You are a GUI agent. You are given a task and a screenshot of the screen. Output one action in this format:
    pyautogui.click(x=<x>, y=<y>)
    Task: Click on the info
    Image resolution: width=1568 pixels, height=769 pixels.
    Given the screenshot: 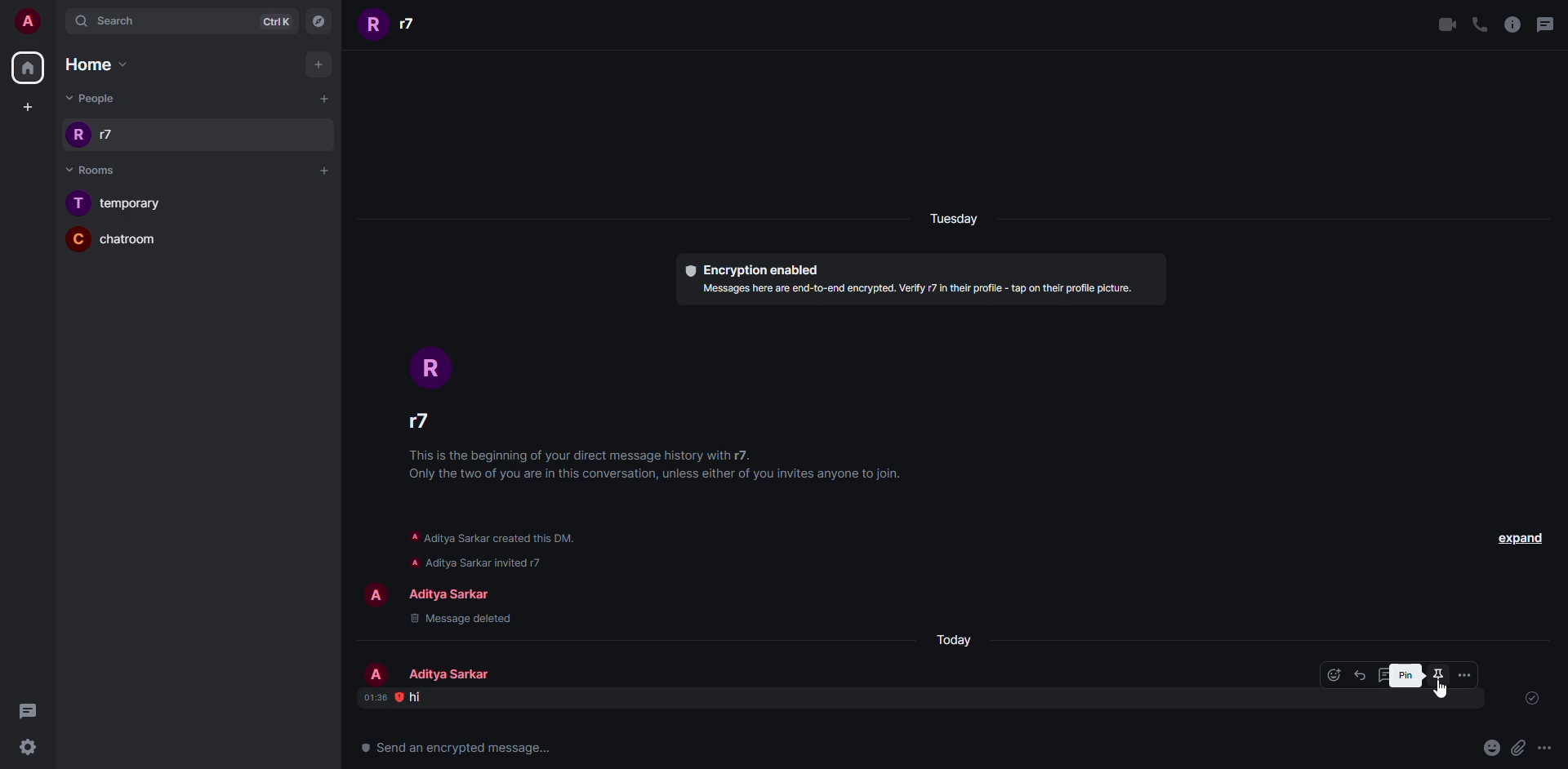 What is the action you would take?
    pyautogui.click(x=924, y=290)
    